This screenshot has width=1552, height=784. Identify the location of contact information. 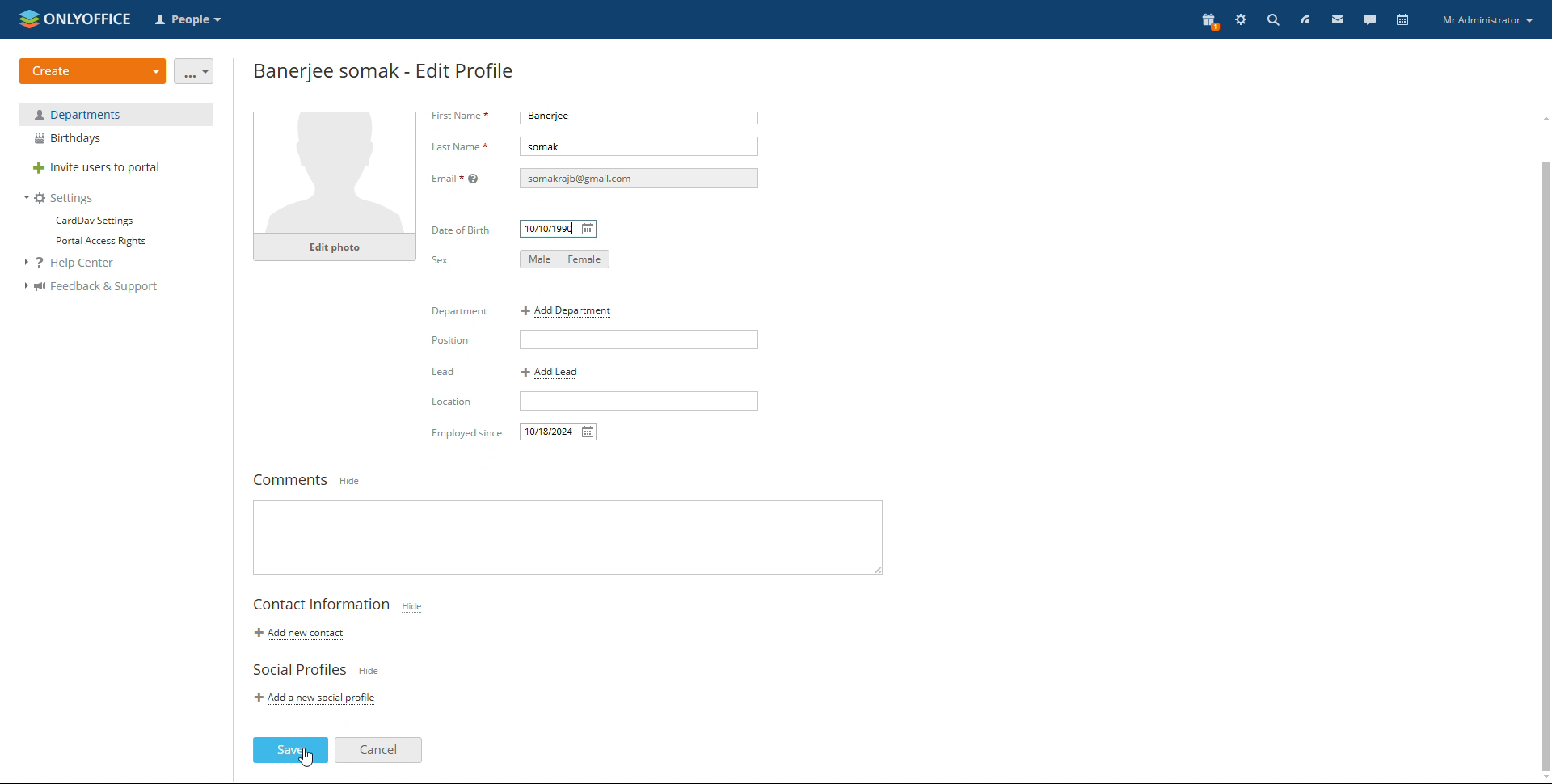
(322, 606).